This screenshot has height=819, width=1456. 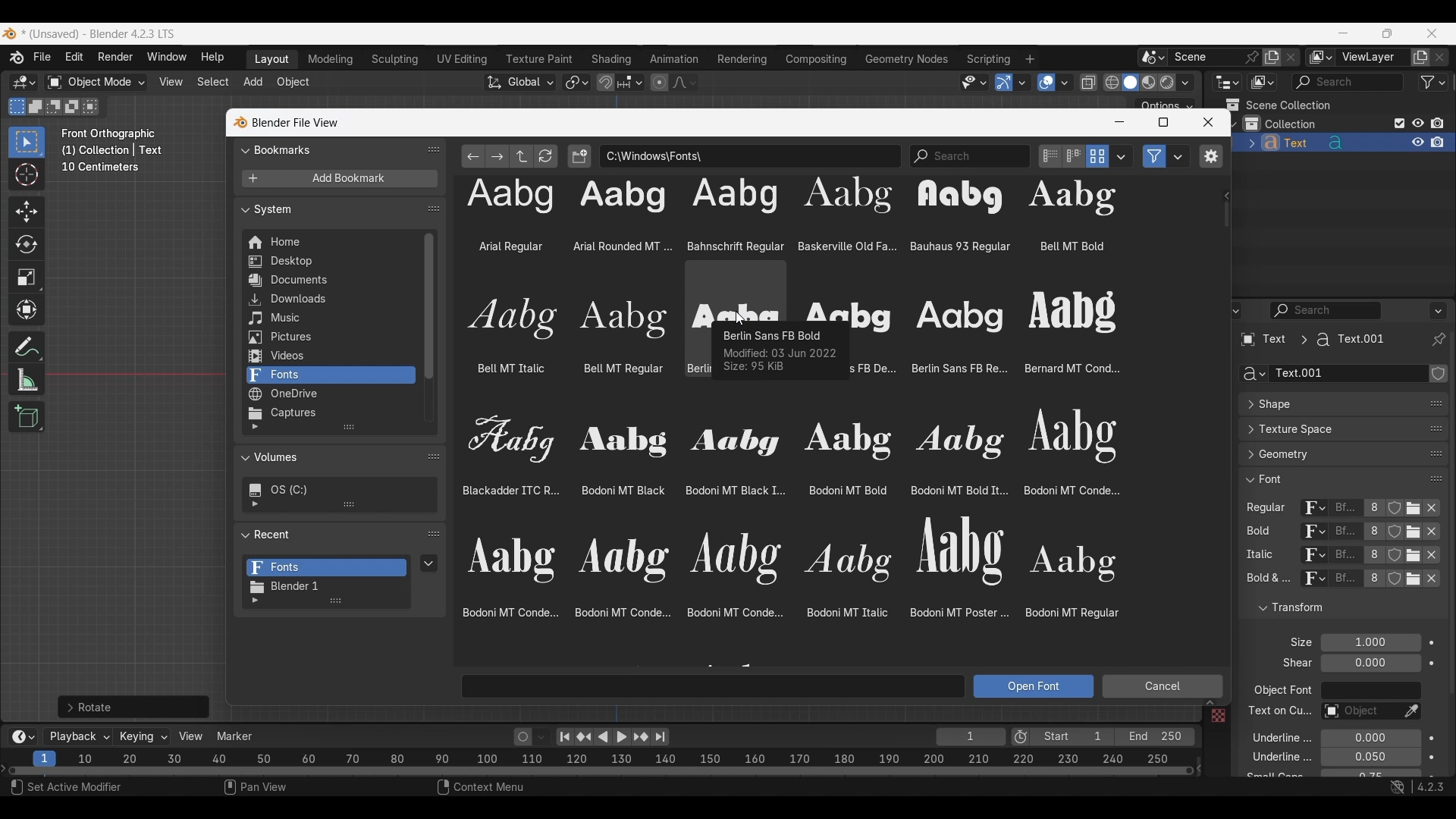 What do you see at coordinates (1311, 340) in the screenshot?
I see `Pathway of current panel changed` at bounding box center [1311, 340].